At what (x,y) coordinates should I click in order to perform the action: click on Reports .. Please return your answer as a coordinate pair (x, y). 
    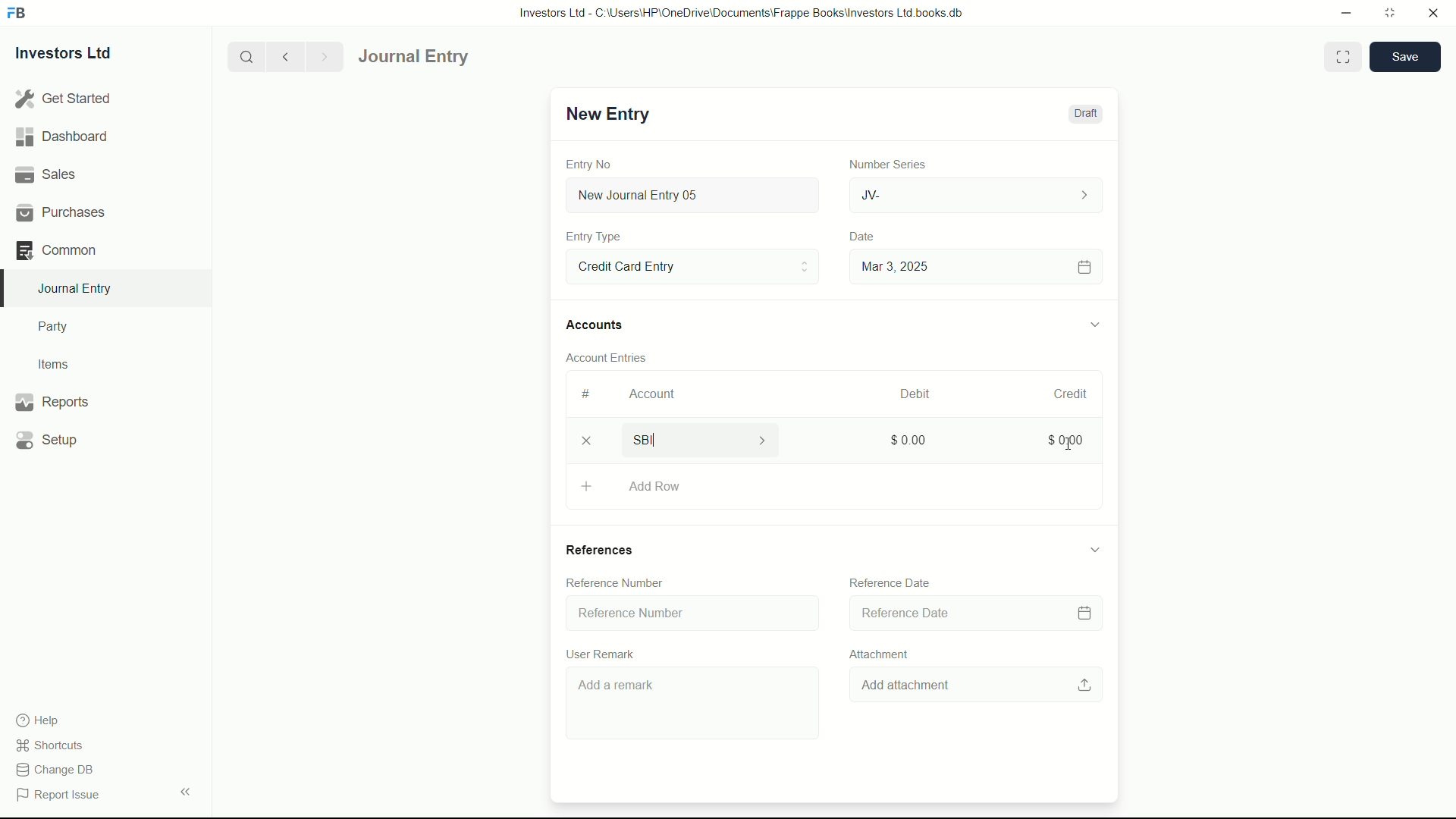
    Looking at the image, I should click on (52, 400).